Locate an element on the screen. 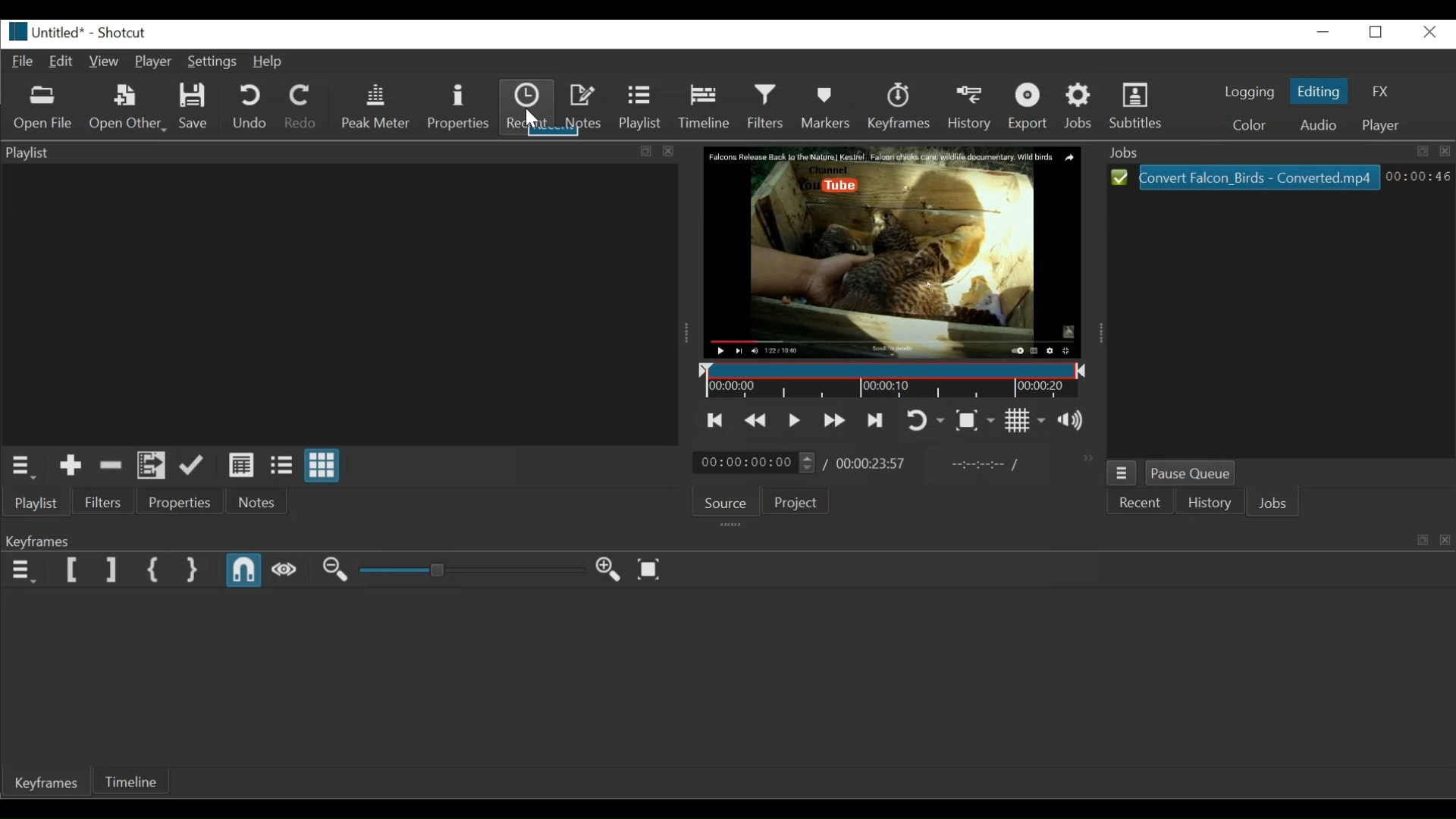  Play forward quickly is located at coordinates (836, 420).